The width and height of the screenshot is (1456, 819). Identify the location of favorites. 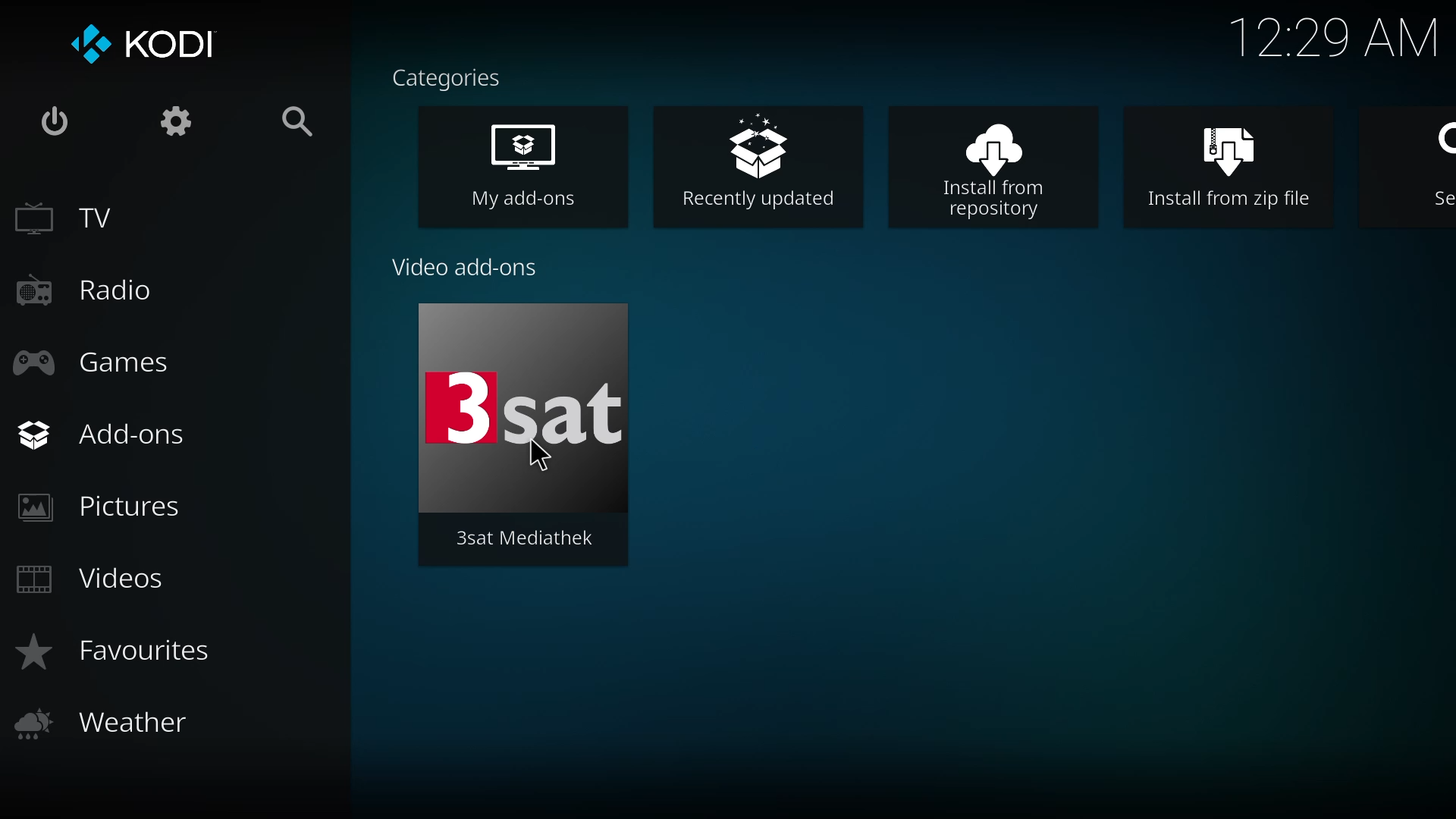
(121, 653).